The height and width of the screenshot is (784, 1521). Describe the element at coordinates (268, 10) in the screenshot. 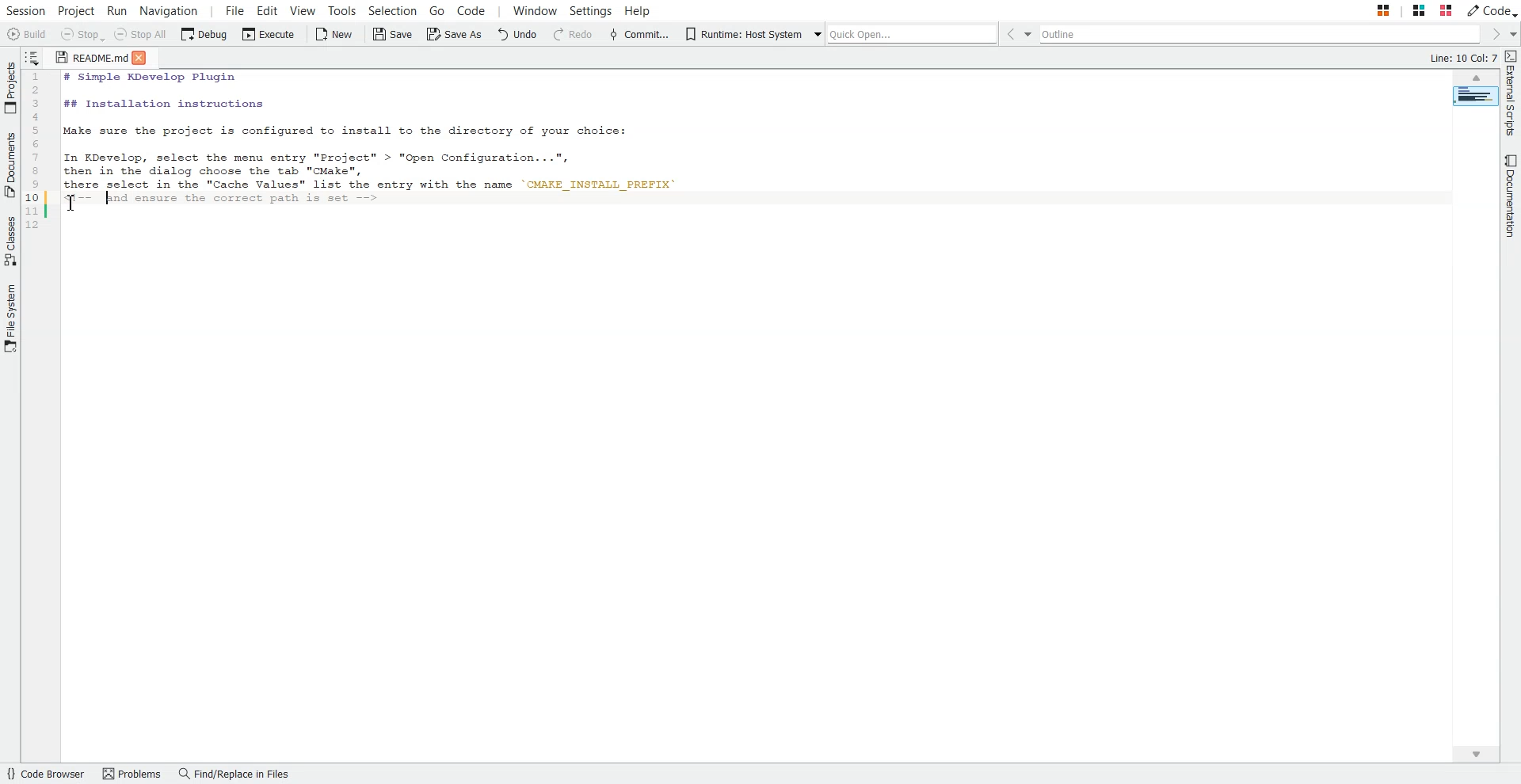

I see `Edit` at that location.